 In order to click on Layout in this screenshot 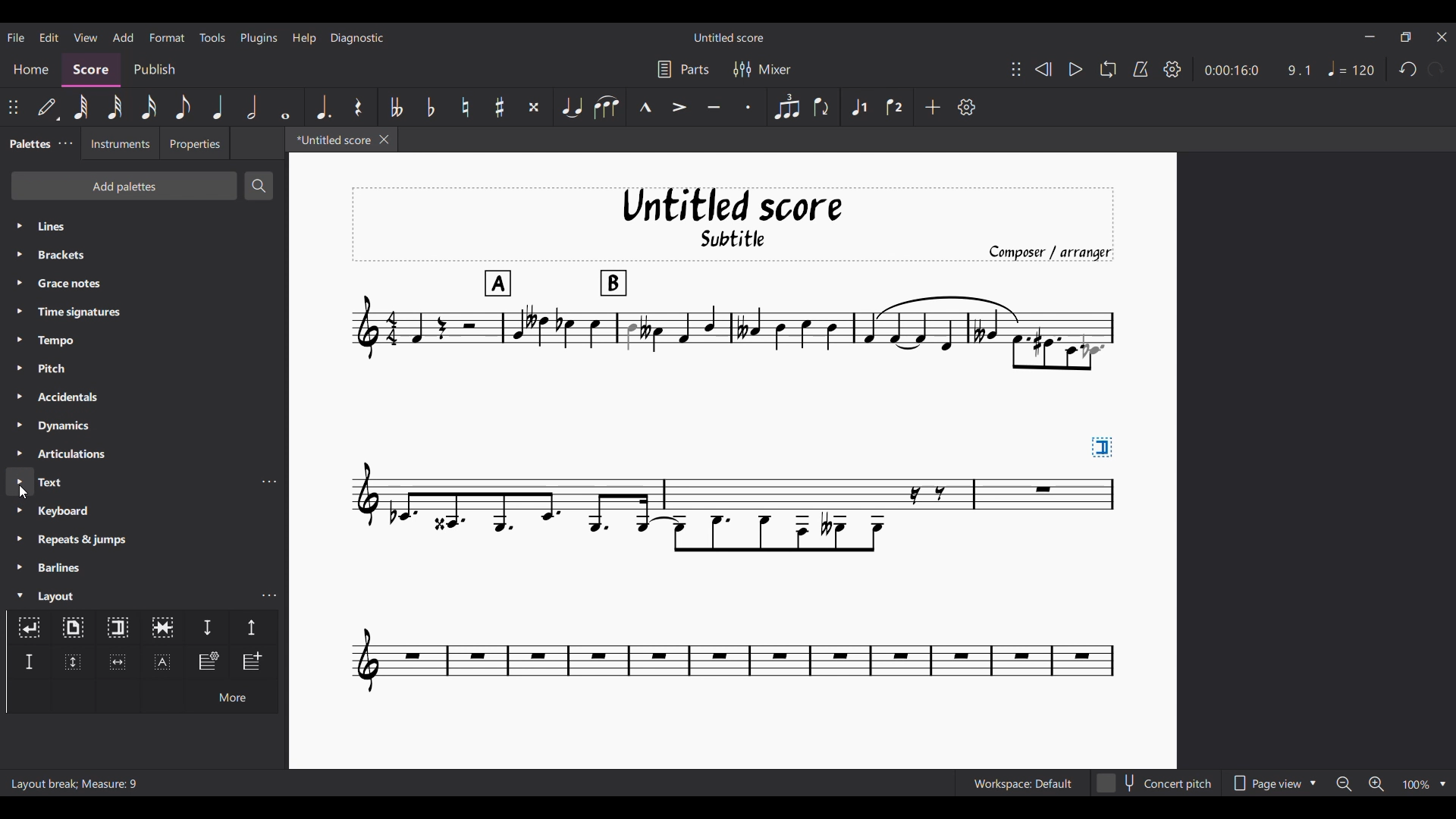, I will do `click(129, 595)`.